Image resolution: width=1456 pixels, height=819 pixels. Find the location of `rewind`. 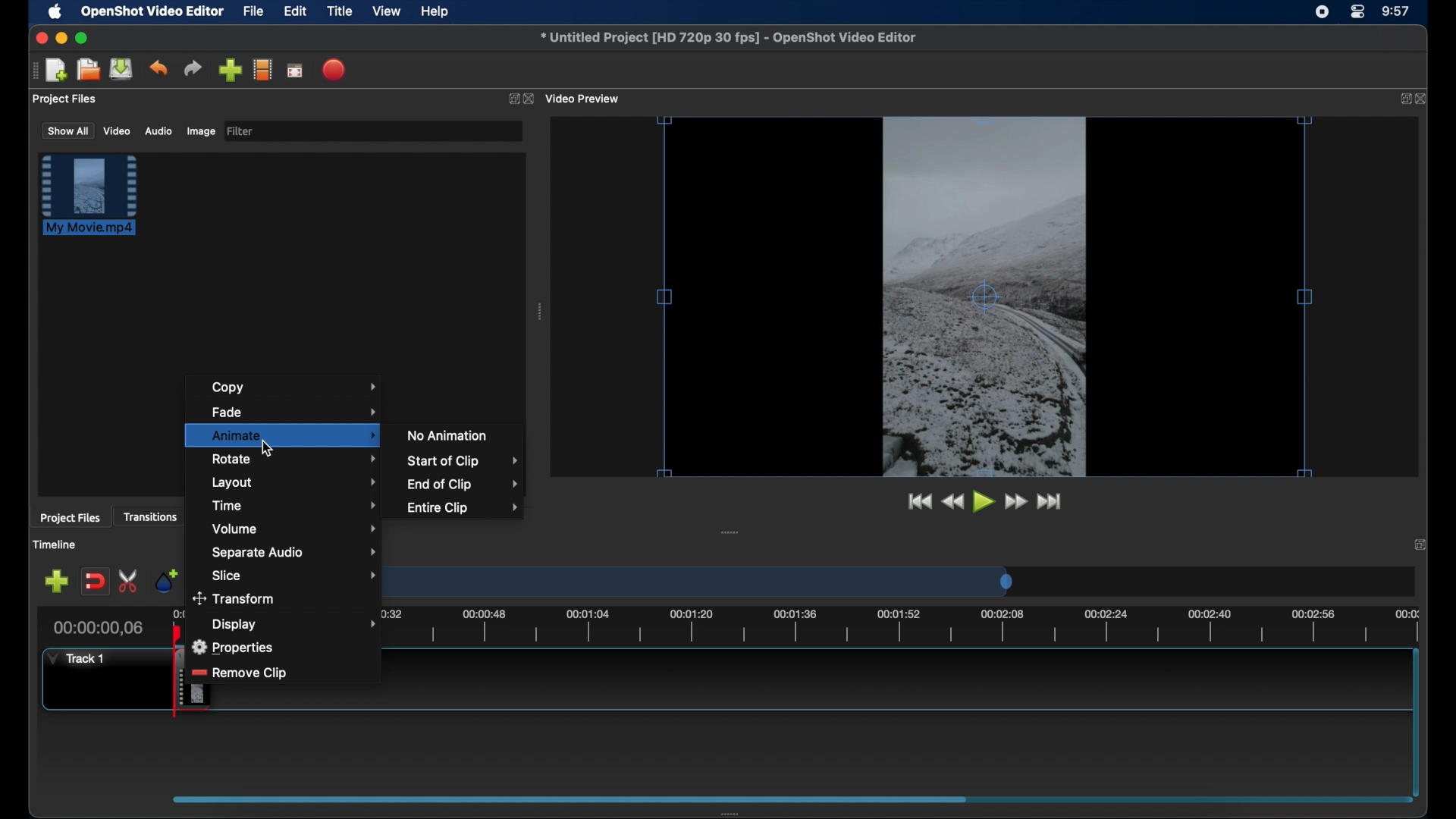

rewind is located at coordinates (952, 502).